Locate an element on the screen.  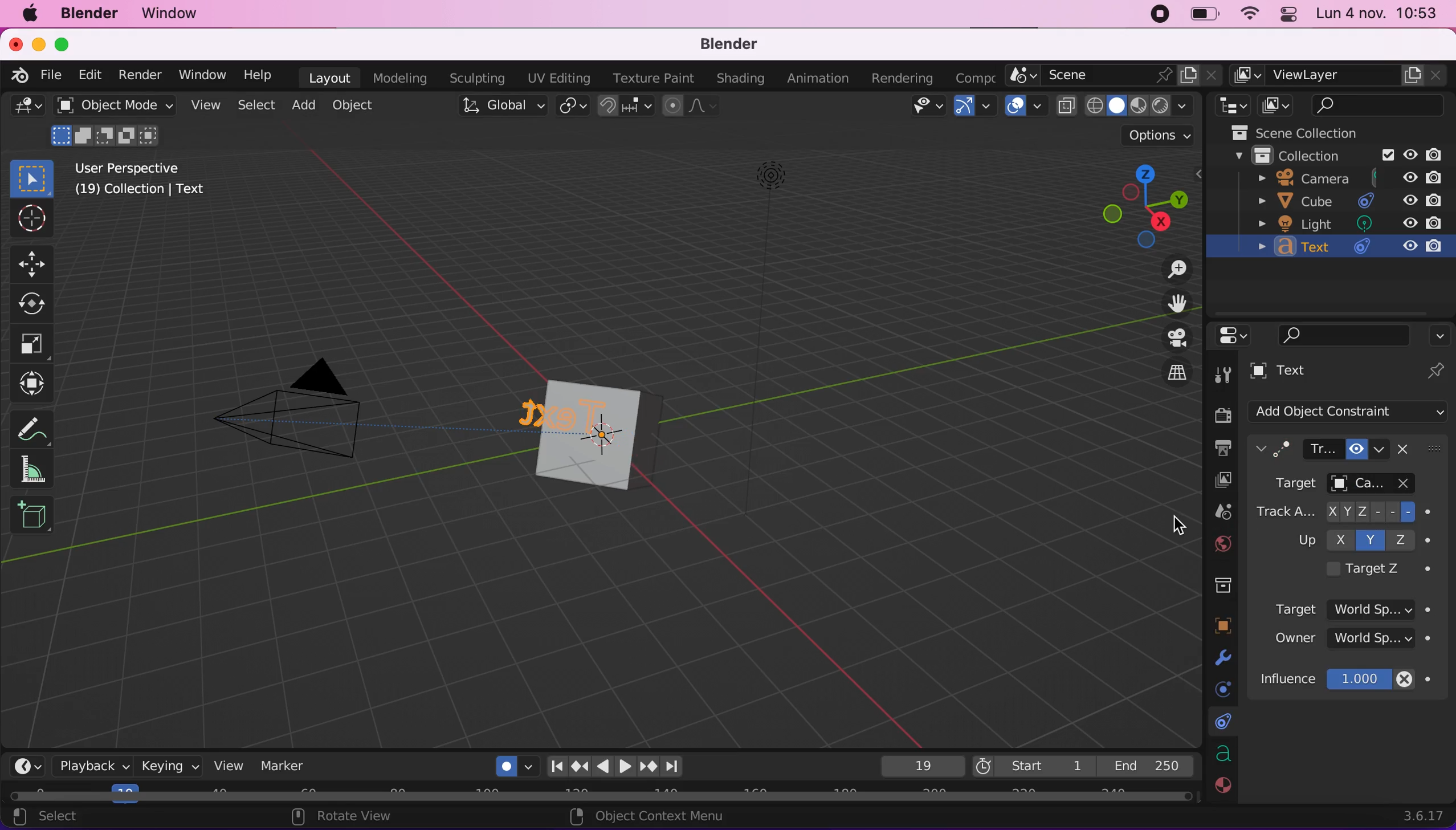
physics is located at coordinates (1220, 688).